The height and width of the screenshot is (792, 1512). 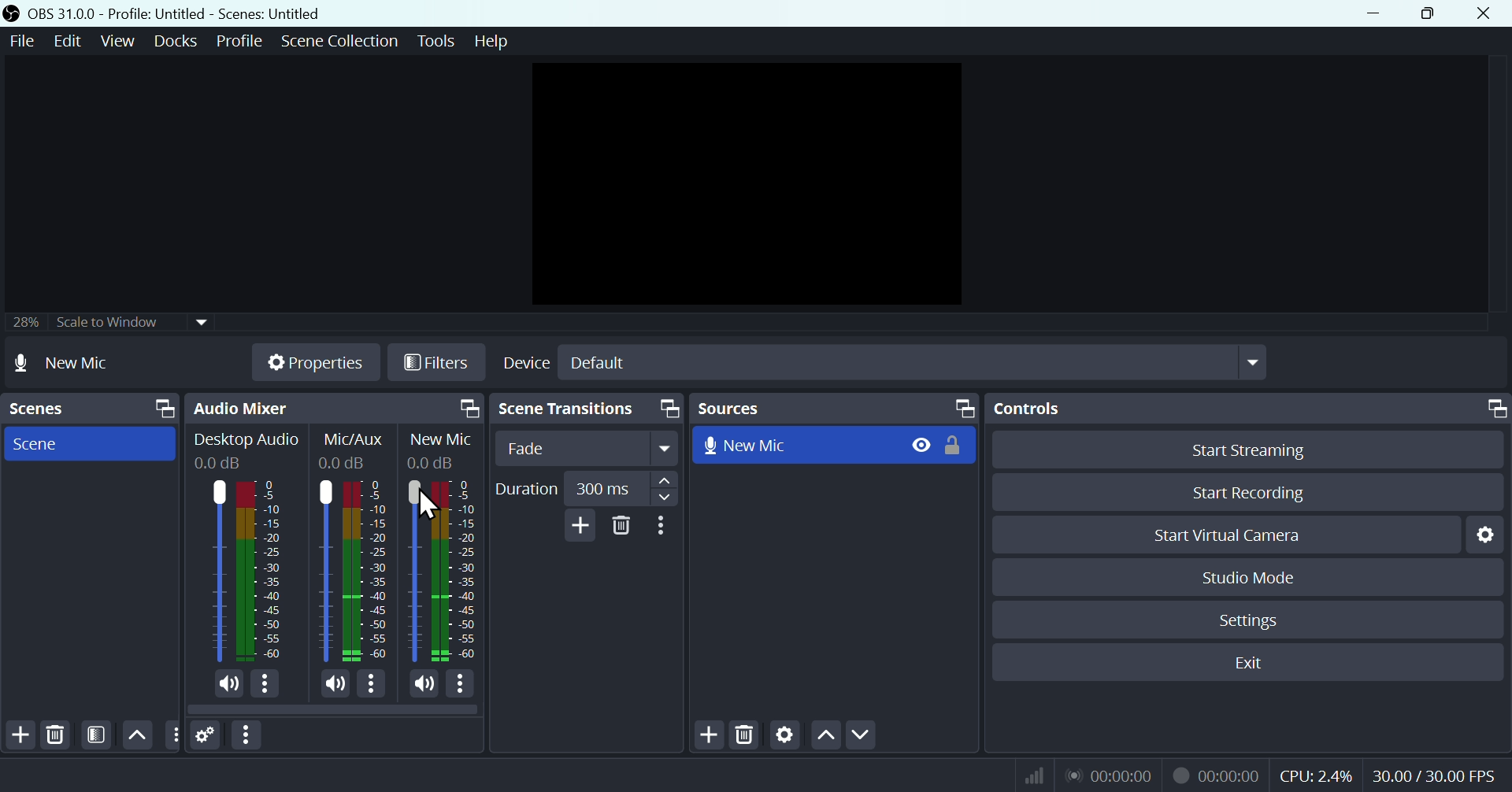 I want to click on minimize, so click(x=1379, y=13).